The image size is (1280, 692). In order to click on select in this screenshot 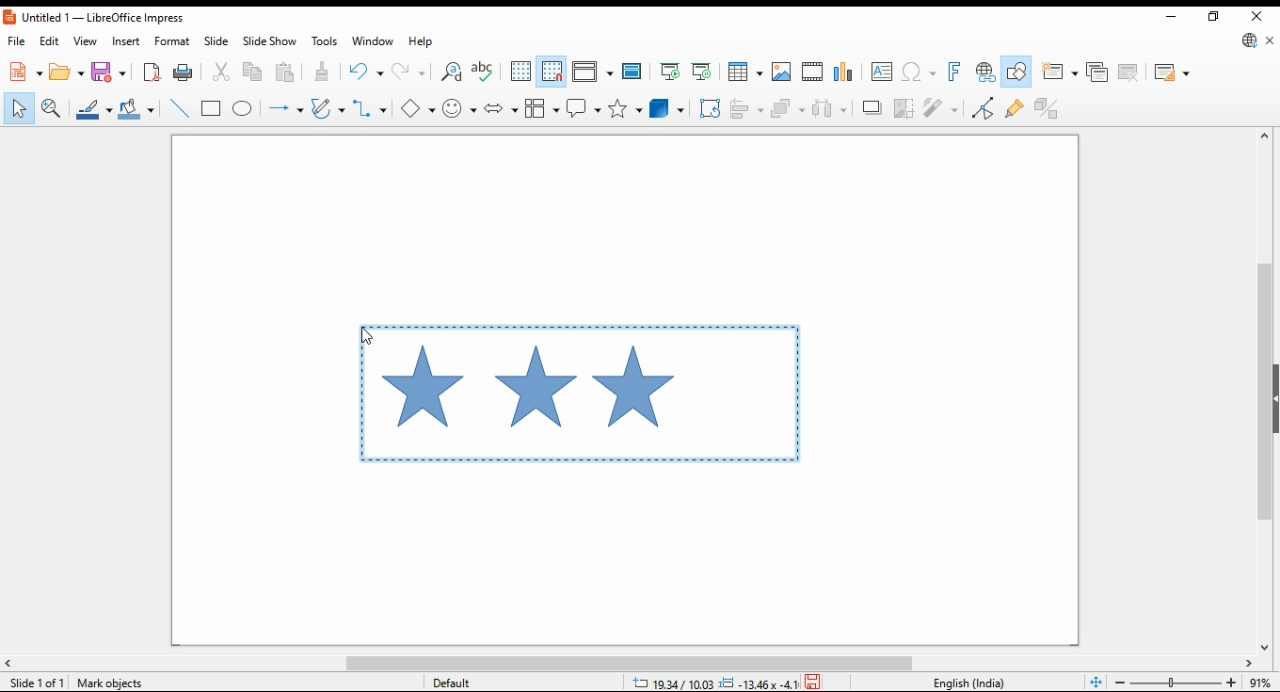, I will do `click(20, 108)`.